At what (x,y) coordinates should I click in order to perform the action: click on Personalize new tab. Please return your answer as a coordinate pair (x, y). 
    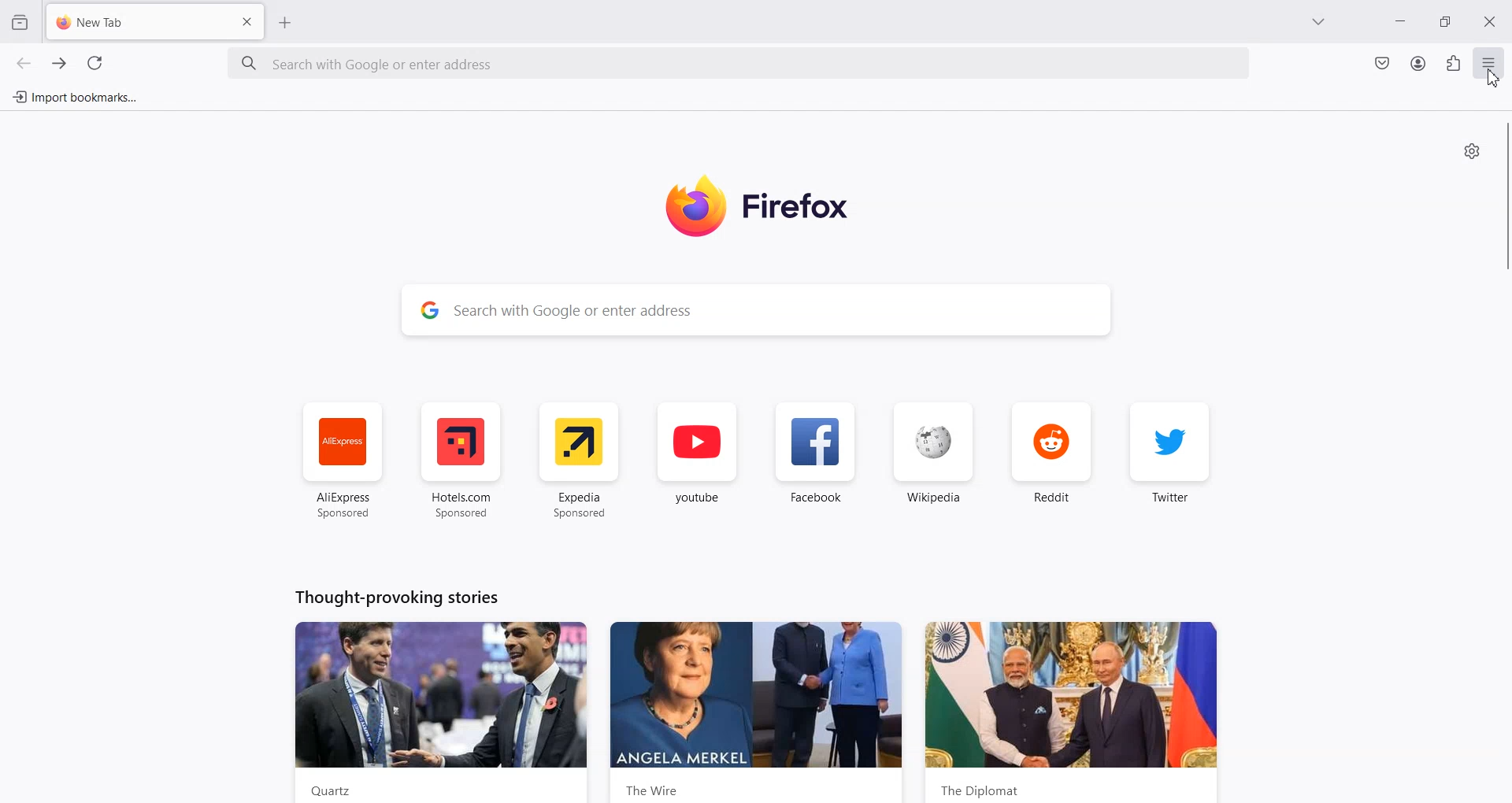
    Looking at the image, I should click on (1472, 150).